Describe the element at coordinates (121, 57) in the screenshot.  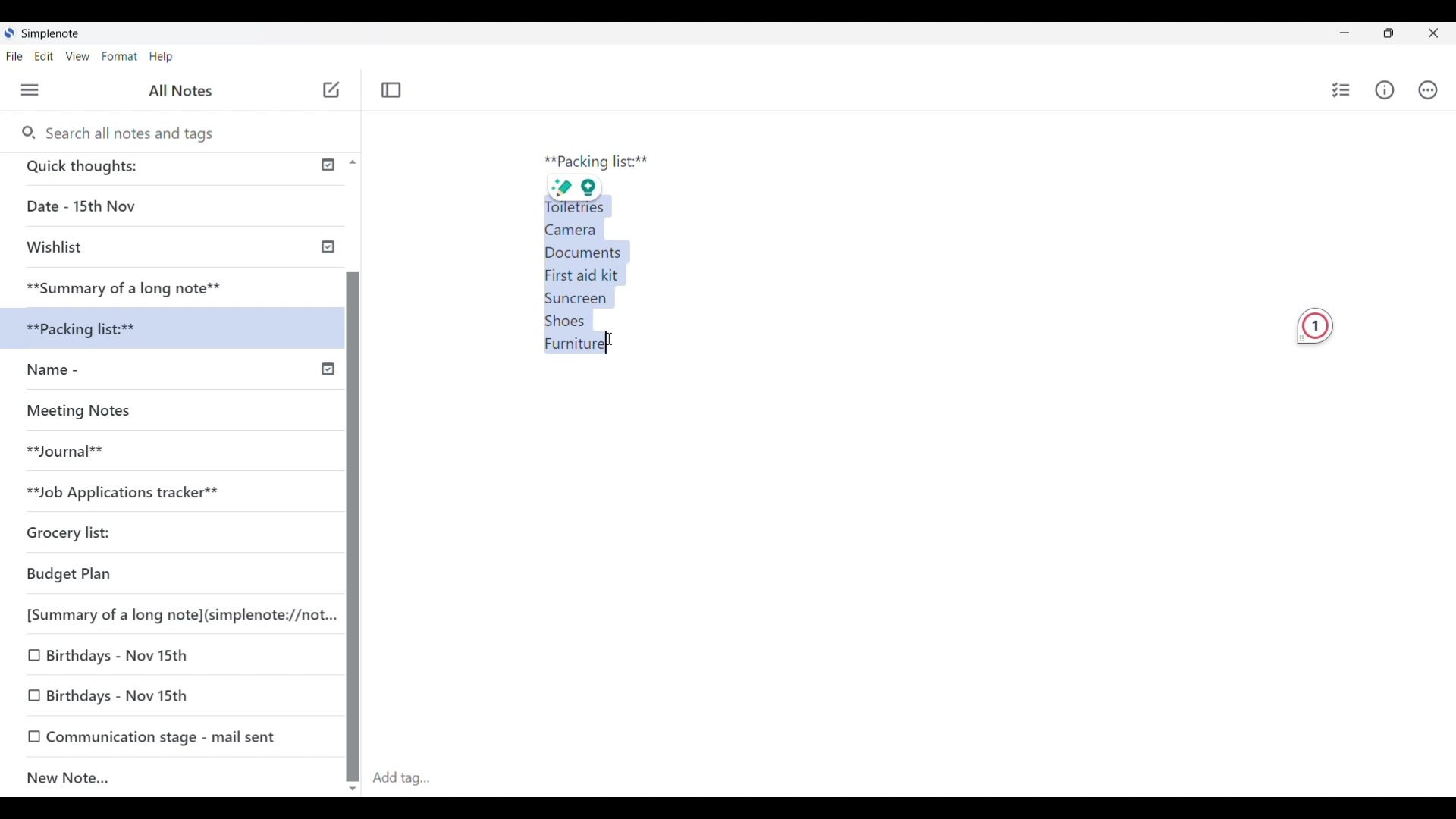
I see `Format menu` at that location.